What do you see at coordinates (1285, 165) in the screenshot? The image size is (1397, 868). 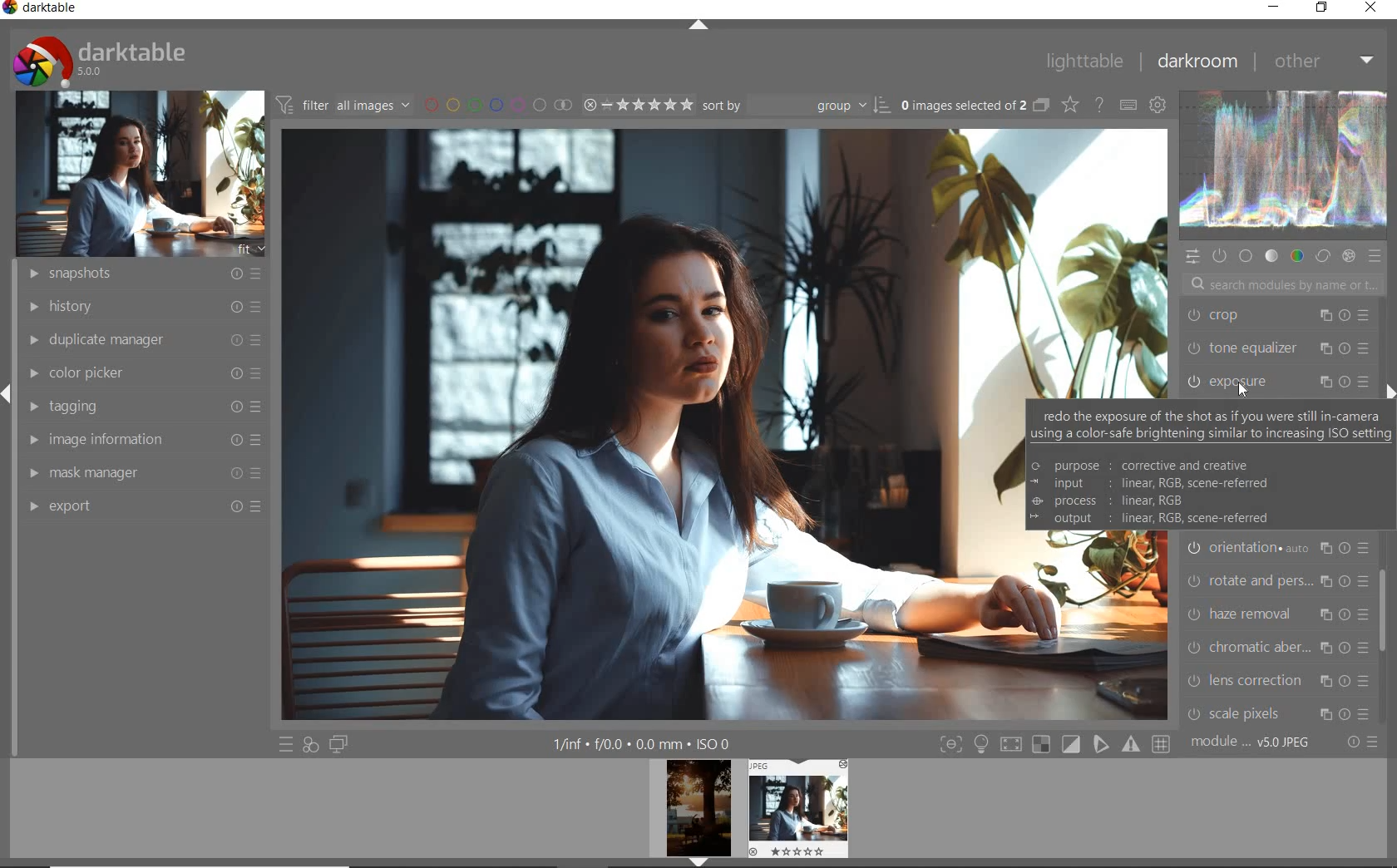 I see `WAVEFORM` at bounding box center [1285, 165].